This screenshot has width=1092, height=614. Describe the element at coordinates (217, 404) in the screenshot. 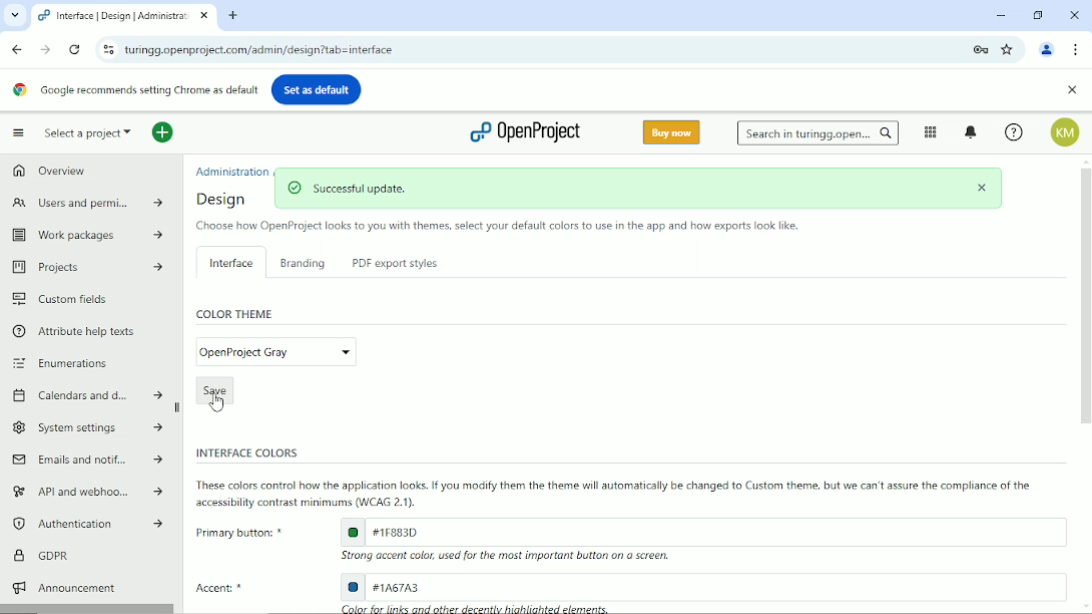

I see `Cursor` at that location.